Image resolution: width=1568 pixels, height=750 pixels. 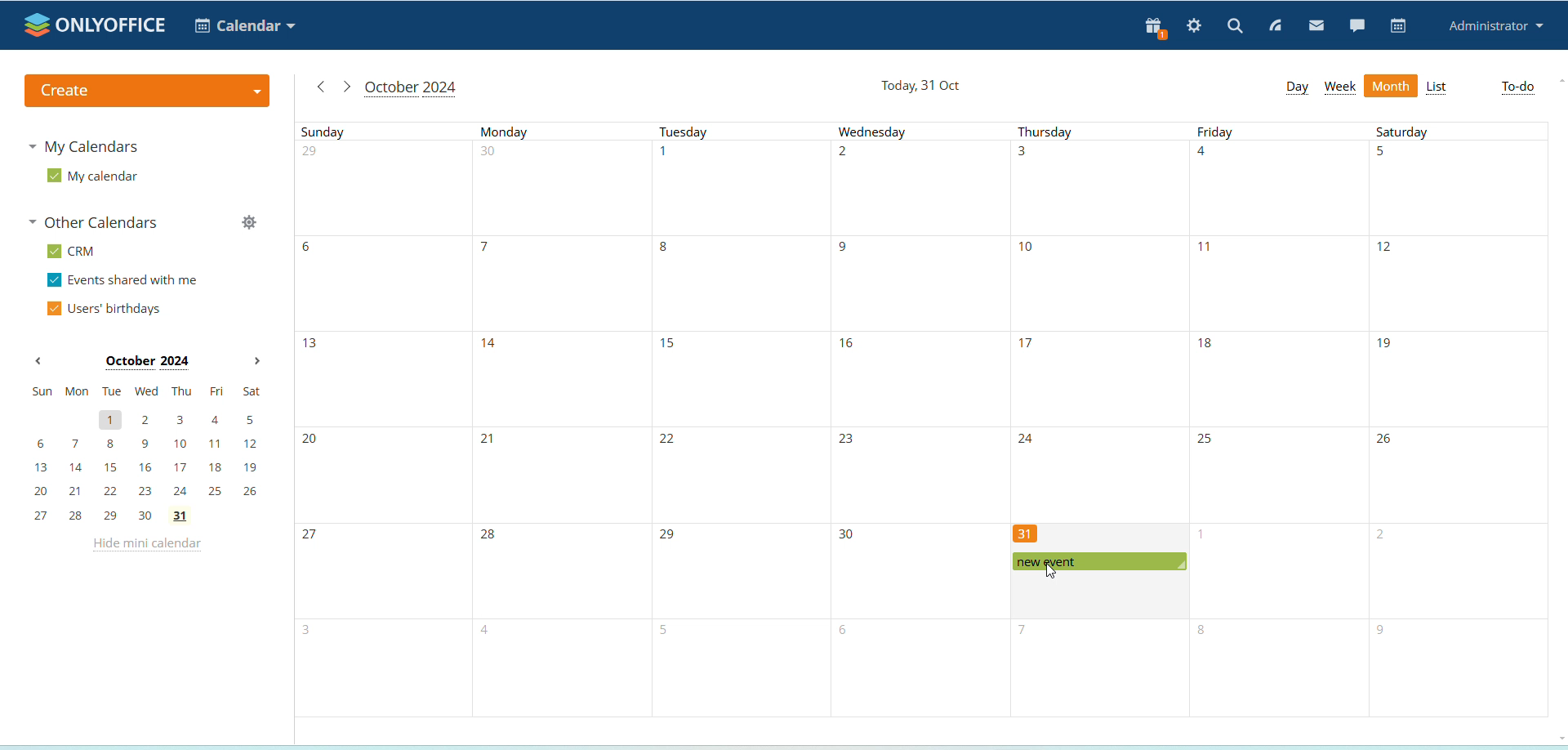 I want to click on manage, so click(x=248, y=225).